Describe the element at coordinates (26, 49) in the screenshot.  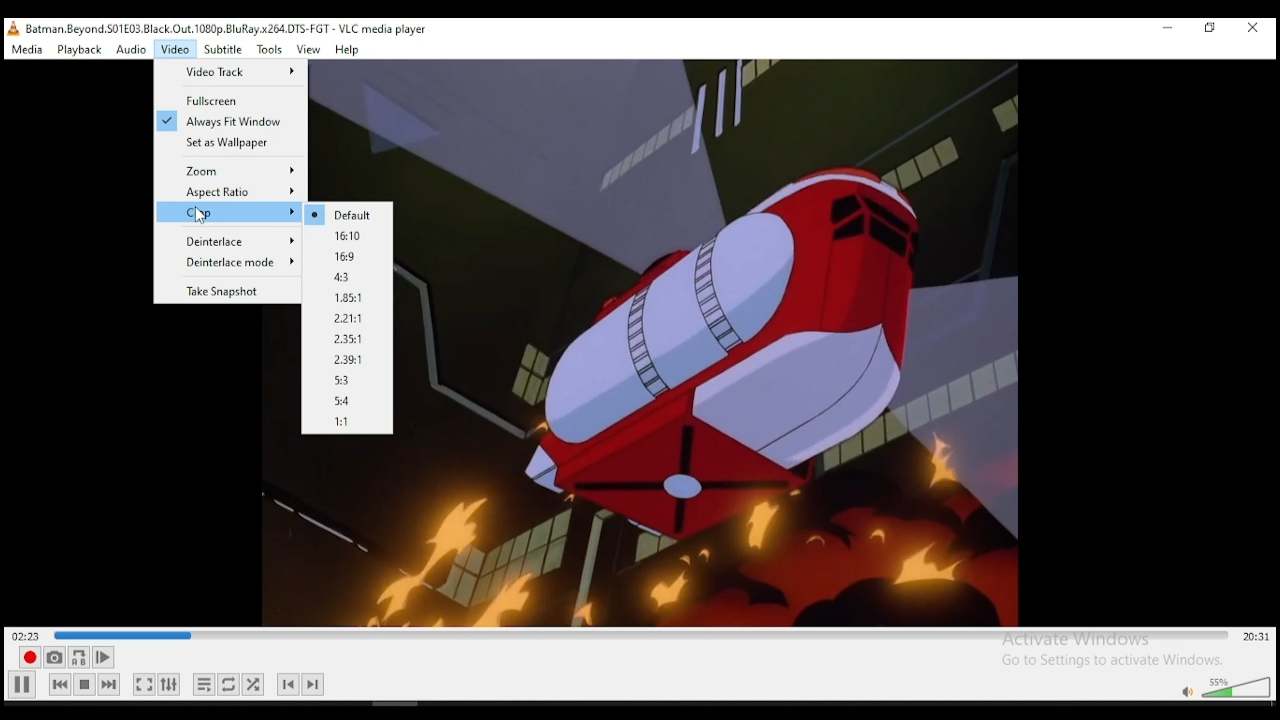
I see `media` at that location.